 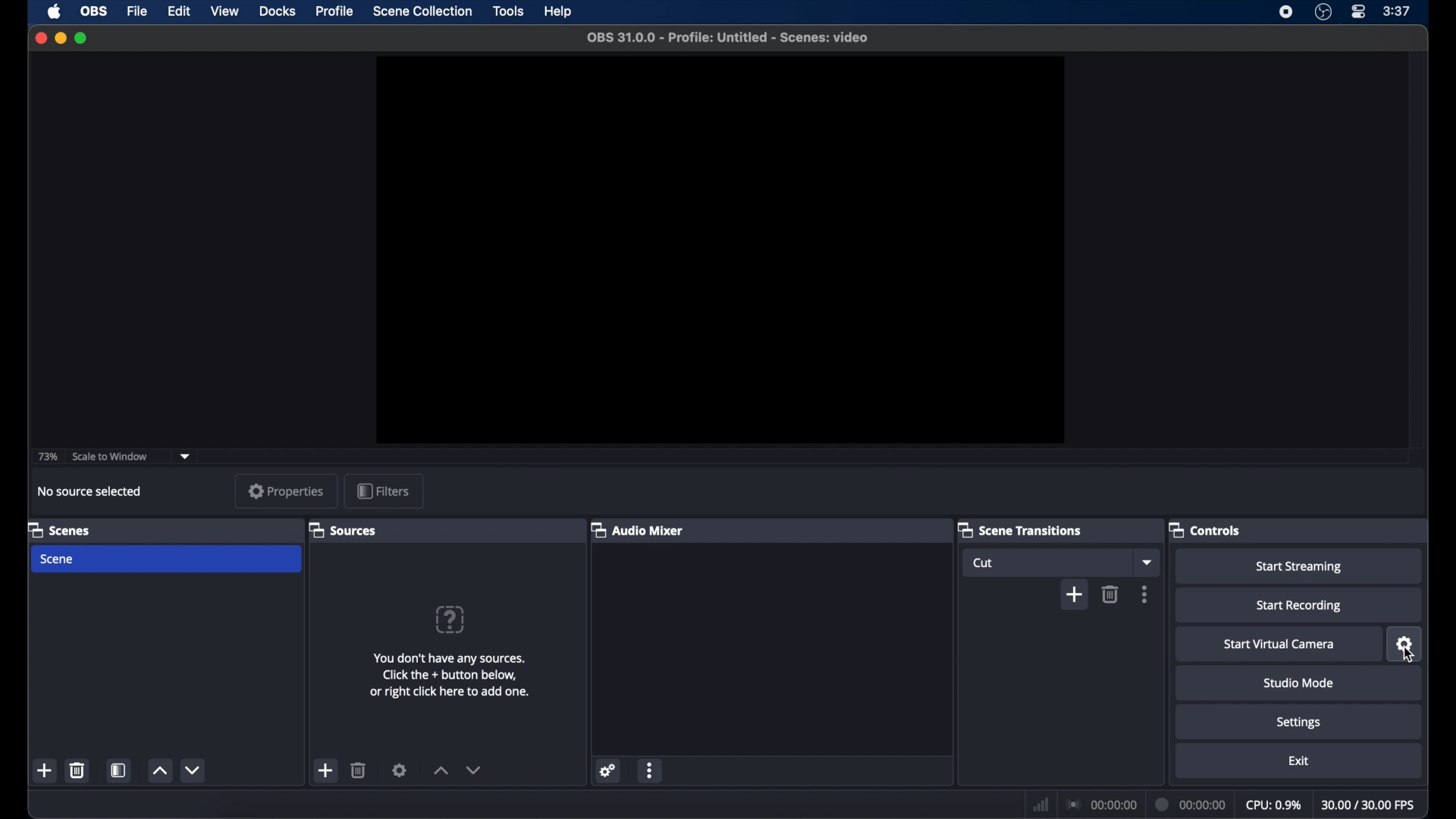 I want to click on settings, so click(x=608, y=770).